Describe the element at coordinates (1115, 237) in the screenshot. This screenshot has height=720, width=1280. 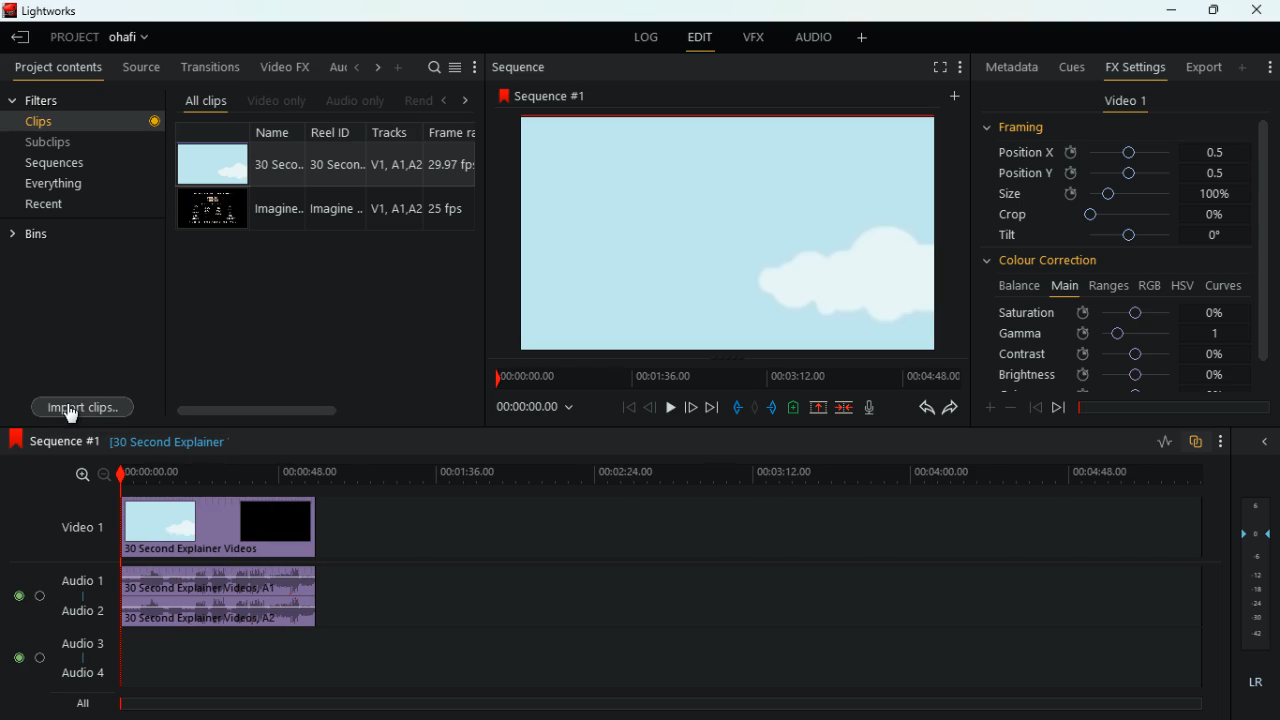
I see `` at that location.